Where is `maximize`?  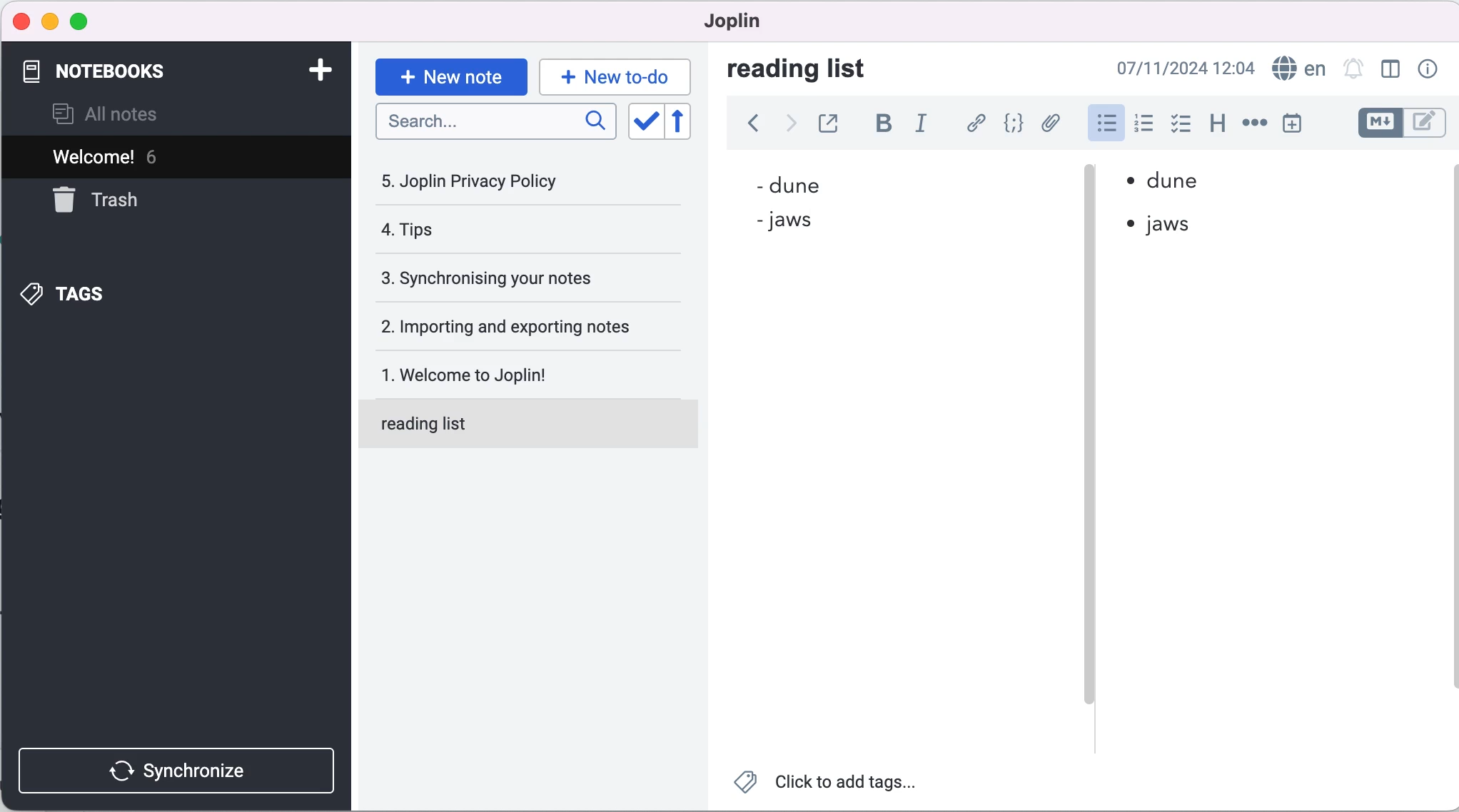
maximize is located at coordinates (88, 21).